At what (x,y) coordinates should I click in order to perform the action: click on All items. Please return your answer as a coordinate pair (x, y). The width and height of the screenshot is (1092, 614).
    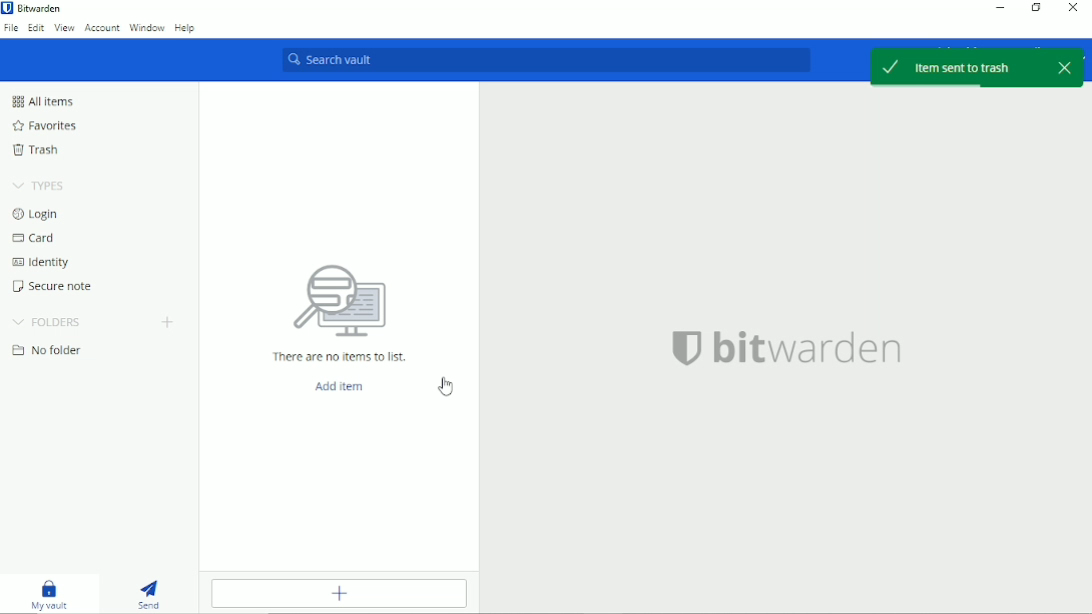
    Looking at the image, I should click on (48, 101).